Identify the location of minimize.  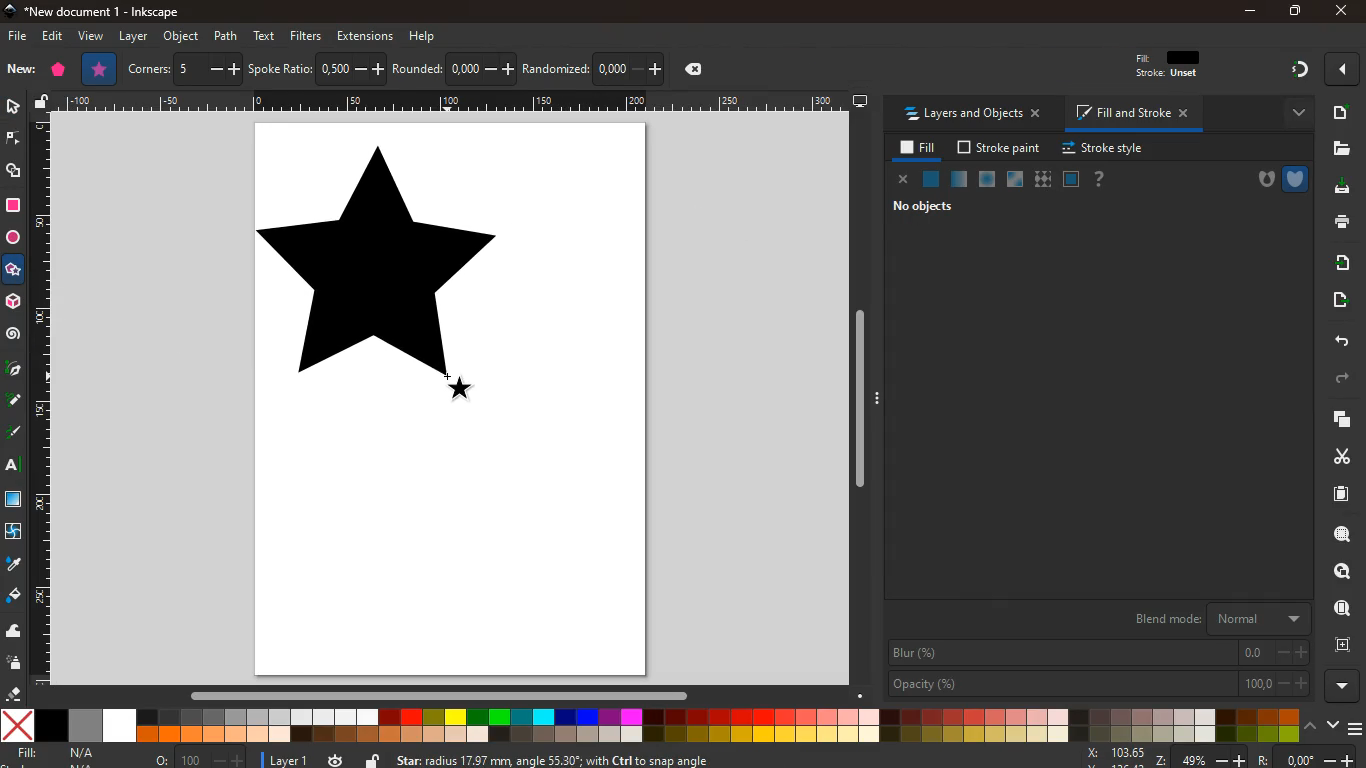
(1251, 12).